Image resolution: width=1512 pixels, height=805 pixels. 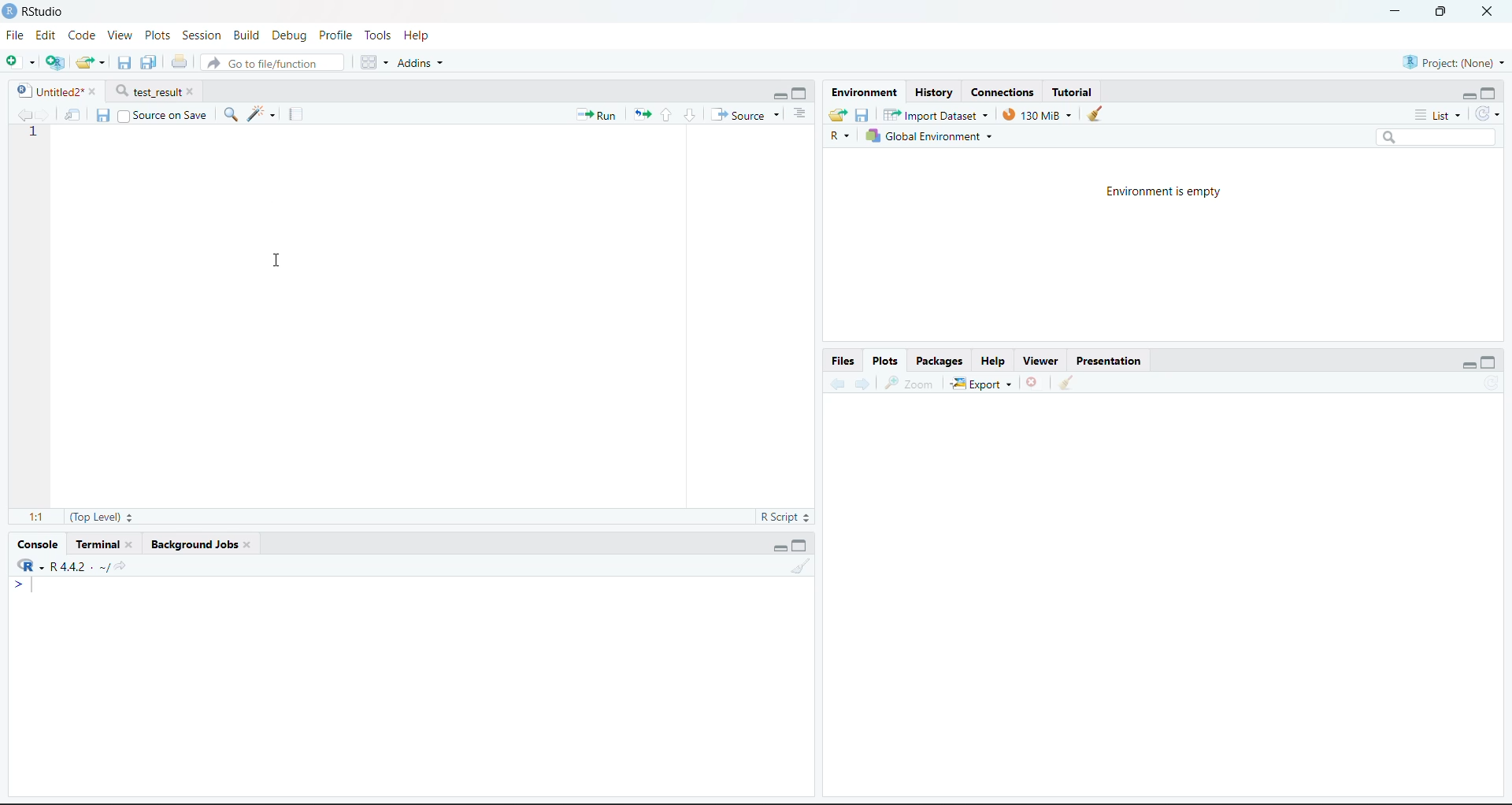 I want to click on Save workspace as, so click(x=863, y=113).